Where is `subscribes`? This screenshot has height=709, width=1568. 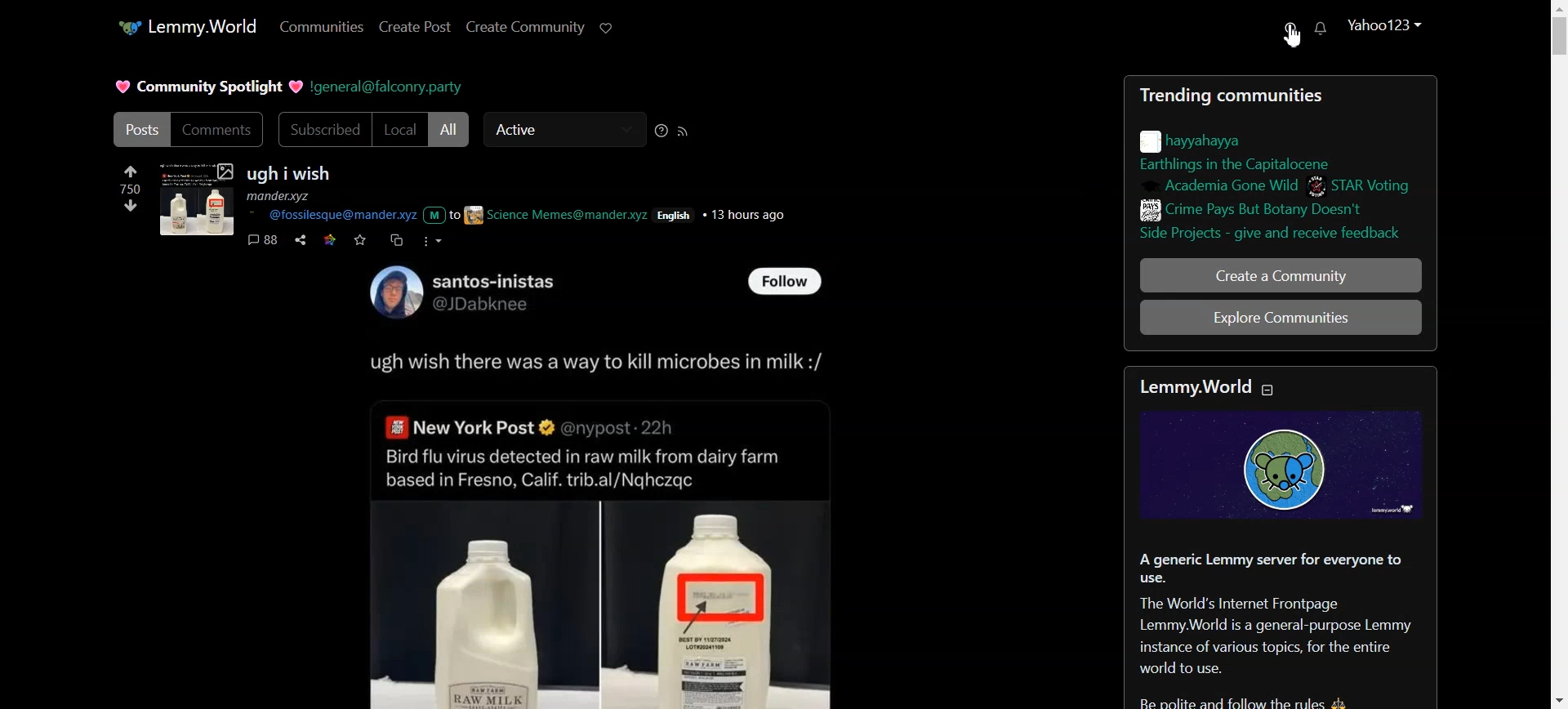
subscribes is located at coordinates (318, 129).